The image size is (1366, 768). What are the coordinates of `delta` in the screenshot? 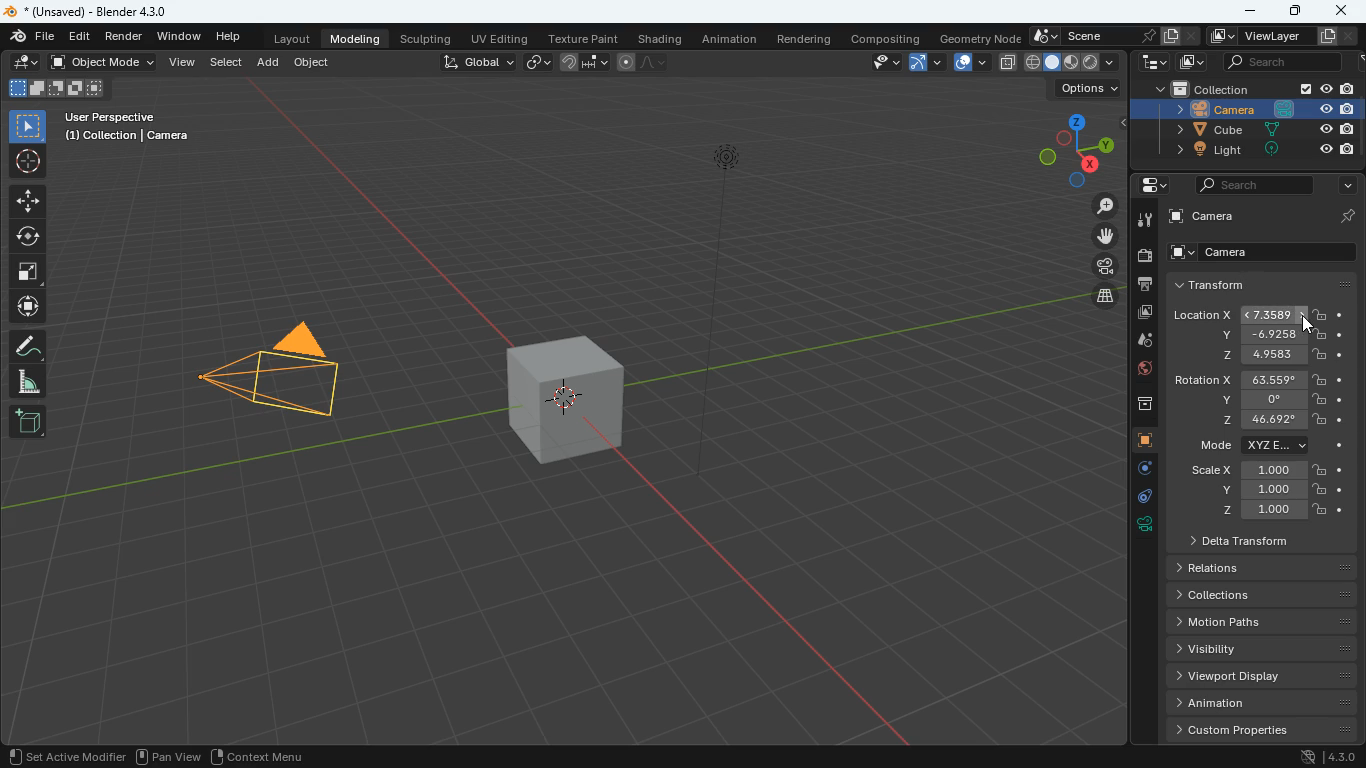 It's located at (1238, 543).